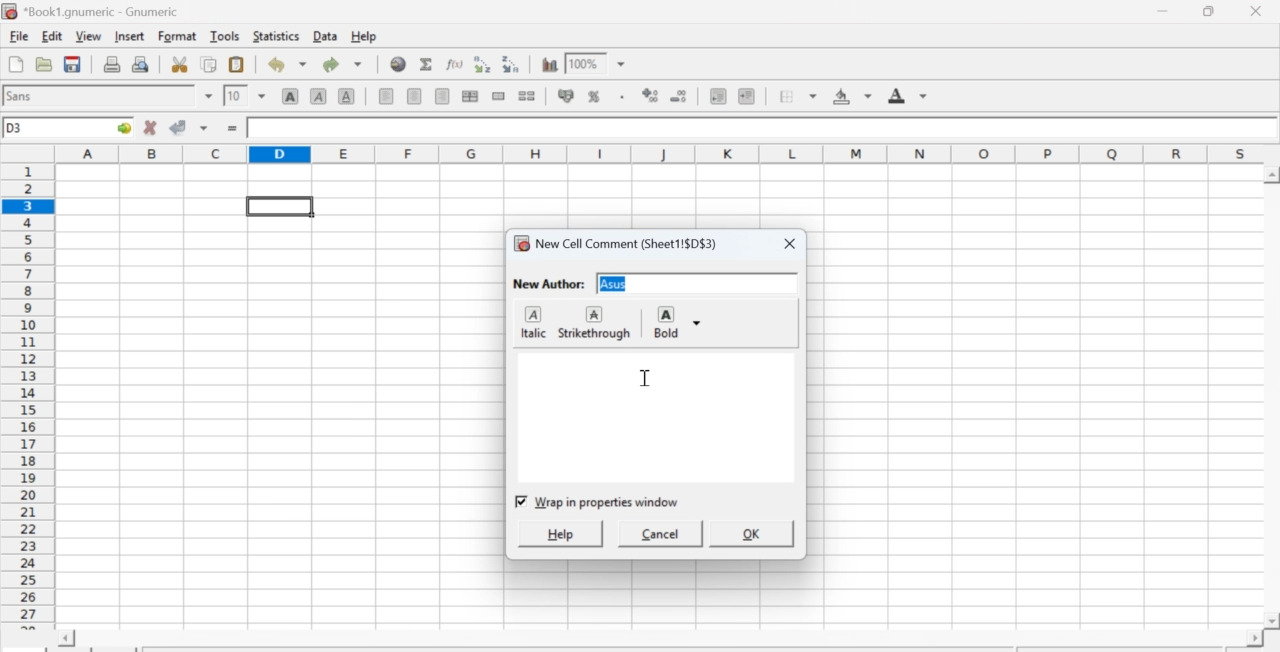 The height and width of the screenshot is (652, 1280). I want to click on Open a file, so click(42, 65).